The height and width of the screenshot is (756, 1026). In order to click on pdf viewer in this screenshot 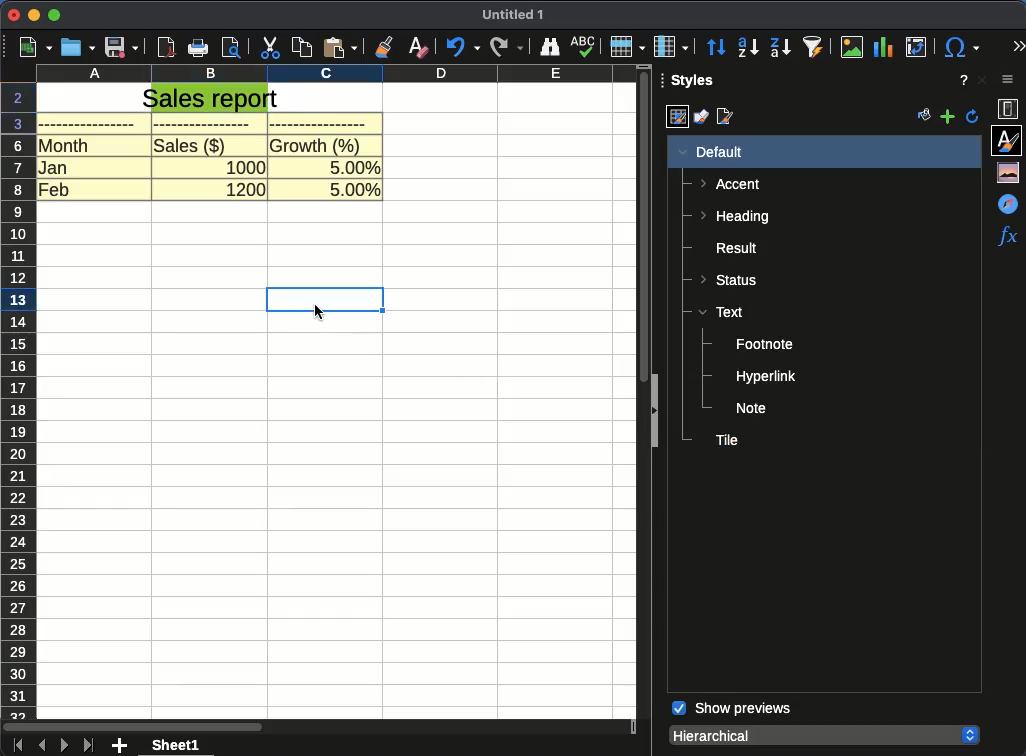, I will do `click(166, 48)`.